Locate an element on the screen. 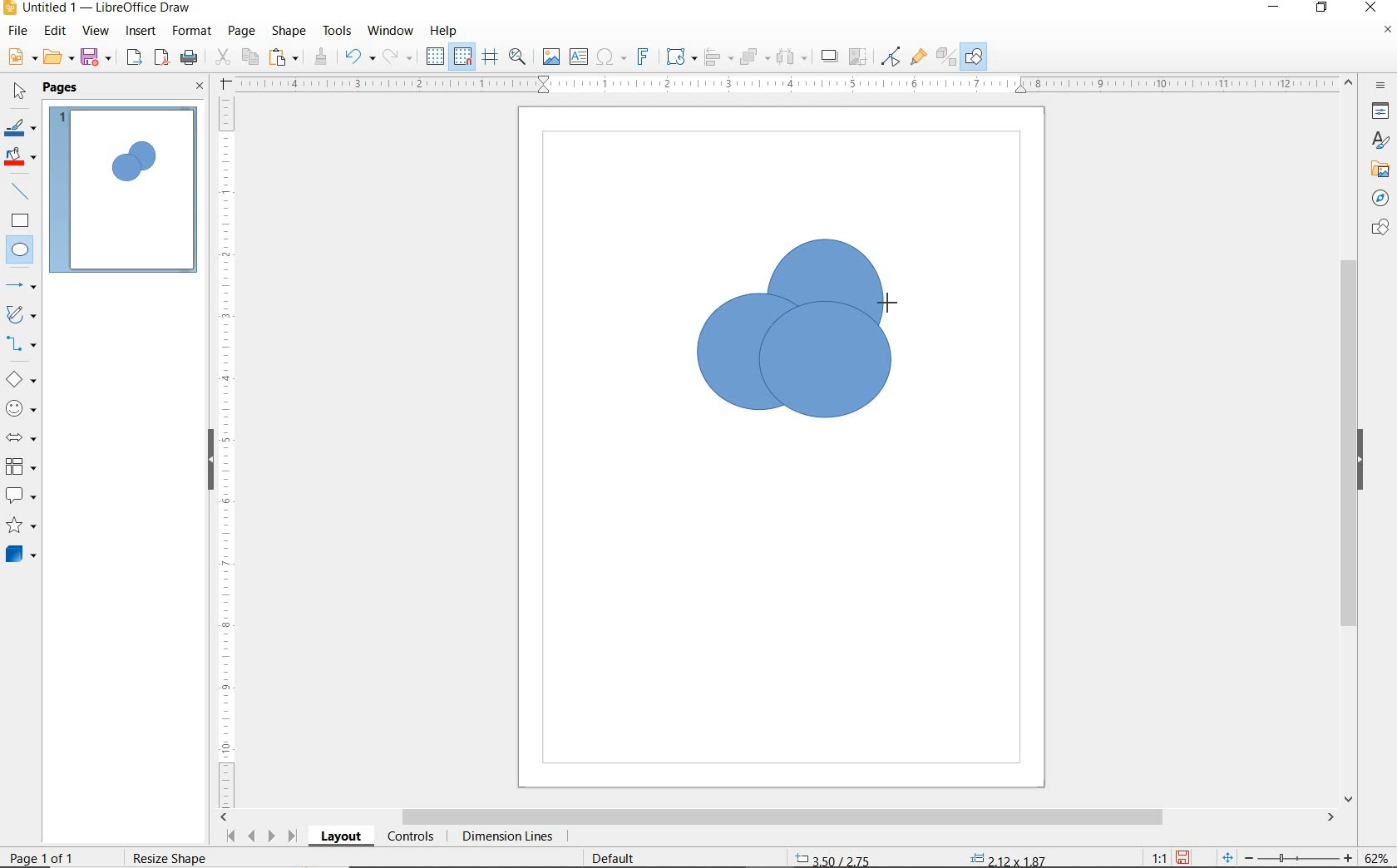  ELLIPSE is located at coordinates (21, 251).